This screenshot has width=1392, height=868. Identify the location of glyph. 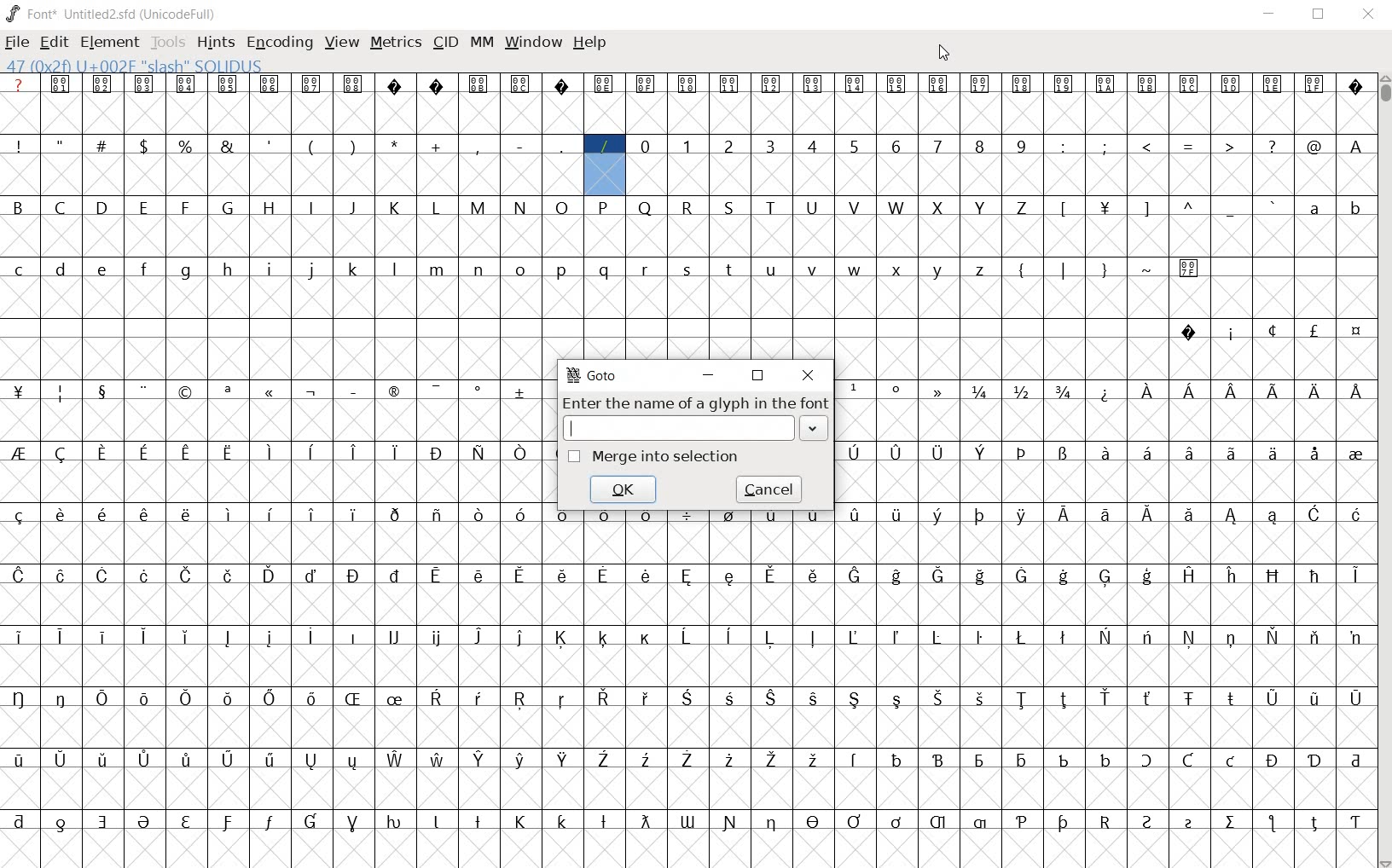
(770, 698).